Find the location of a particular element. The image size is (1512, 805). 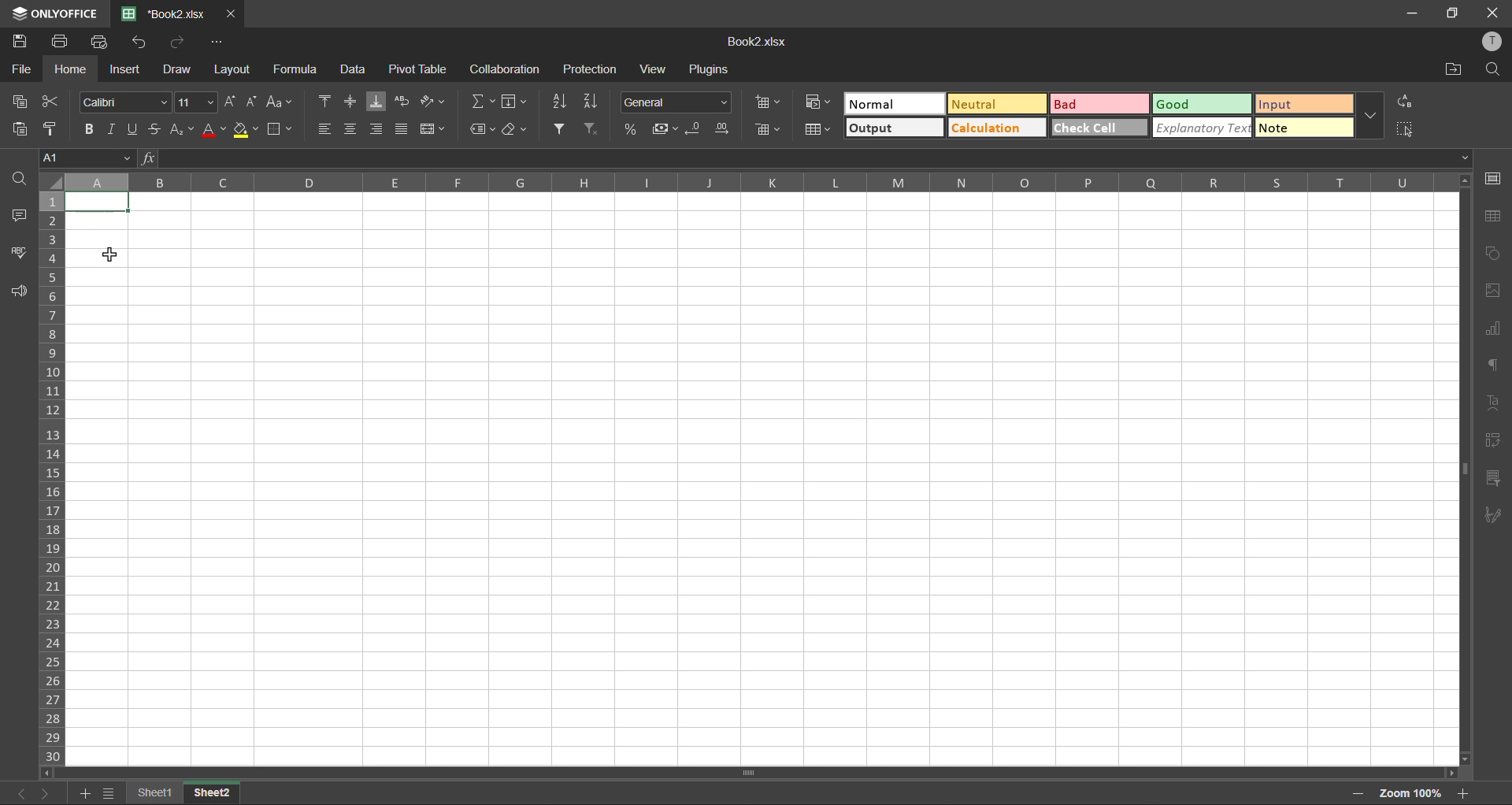

pivot table is located at coordinates (1491, 440).